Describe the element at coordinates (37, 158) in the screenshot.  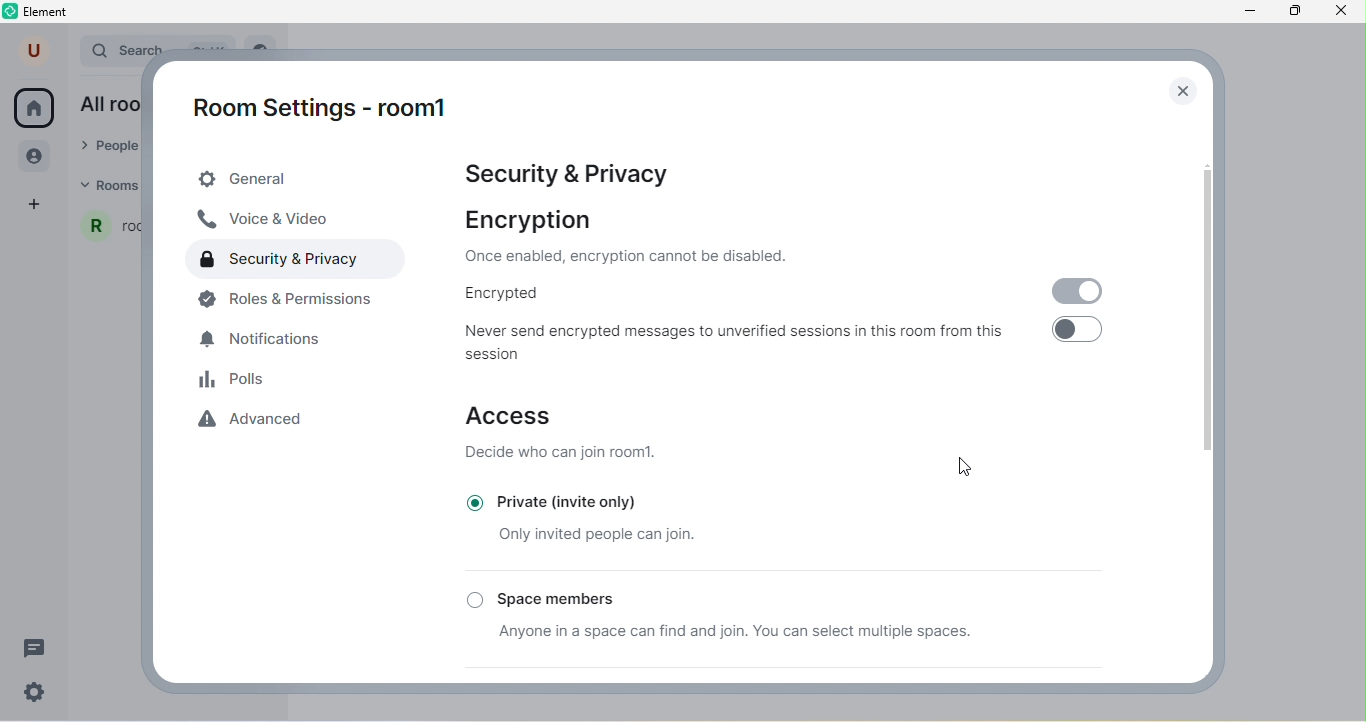
I see `people` at that location.